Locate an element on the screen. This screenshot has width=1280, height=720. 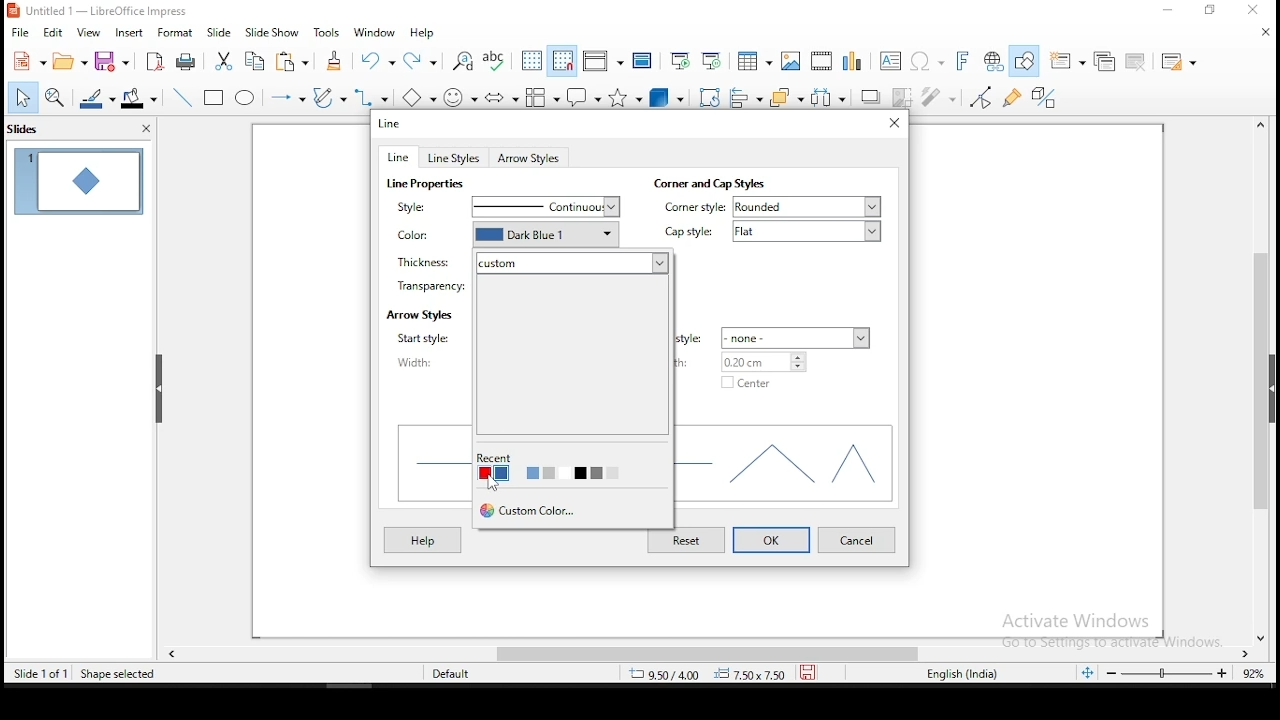
slide 1 of 1 is located at coordinates (41, 670).